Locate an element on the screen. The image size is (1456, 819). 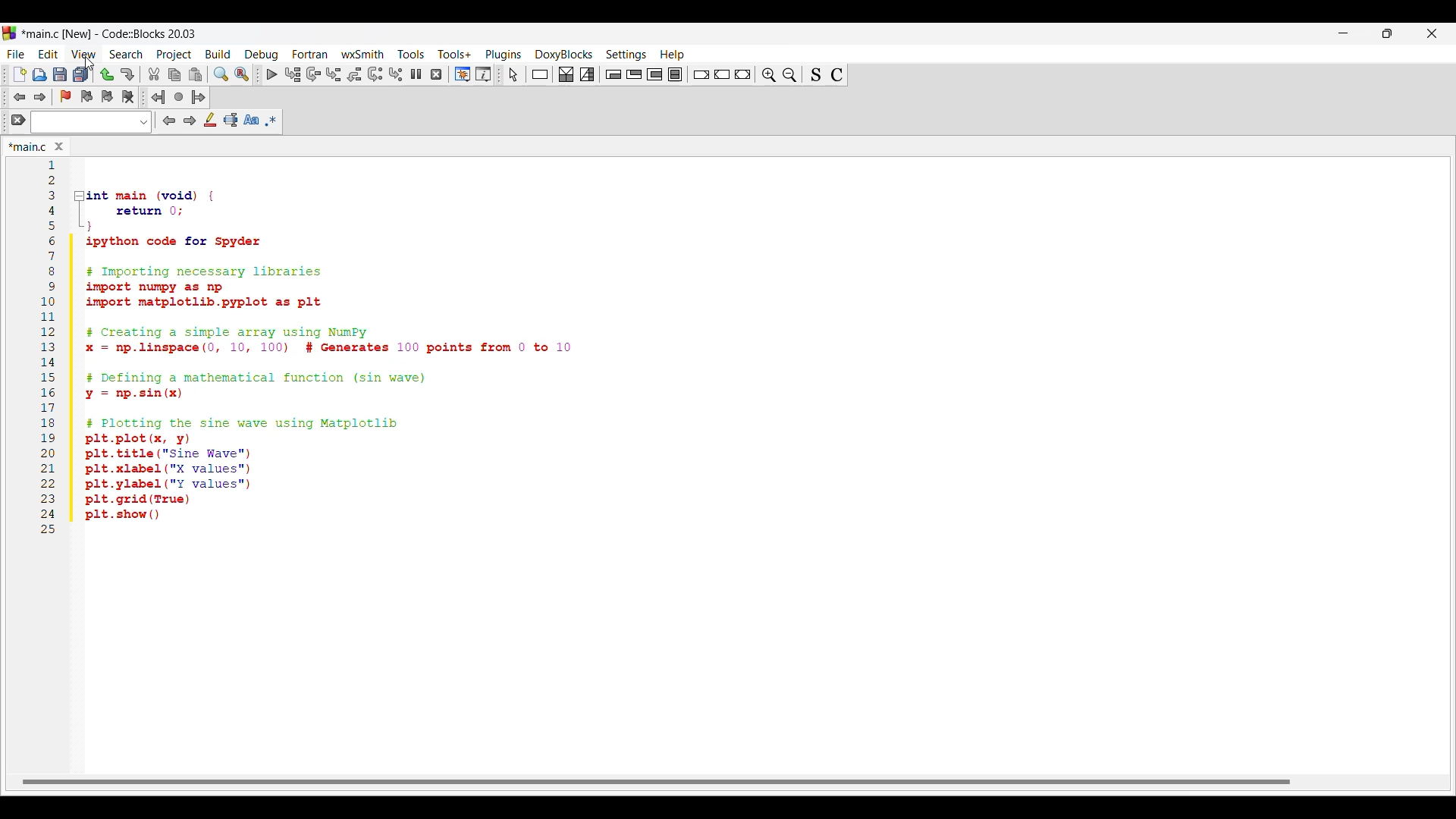
Current code is located at coordinates (309, 350).